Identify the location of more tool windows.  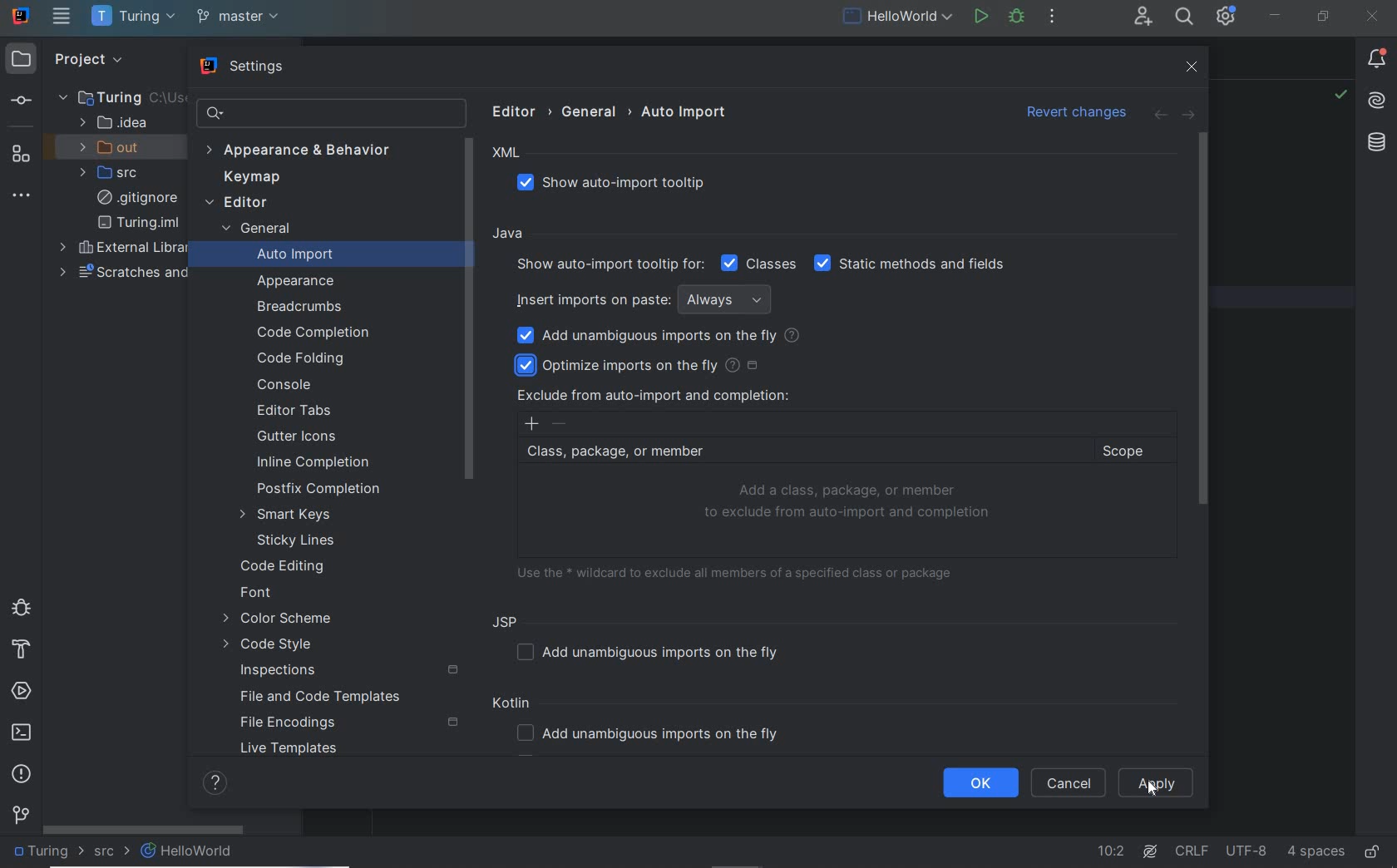
(22, 196).